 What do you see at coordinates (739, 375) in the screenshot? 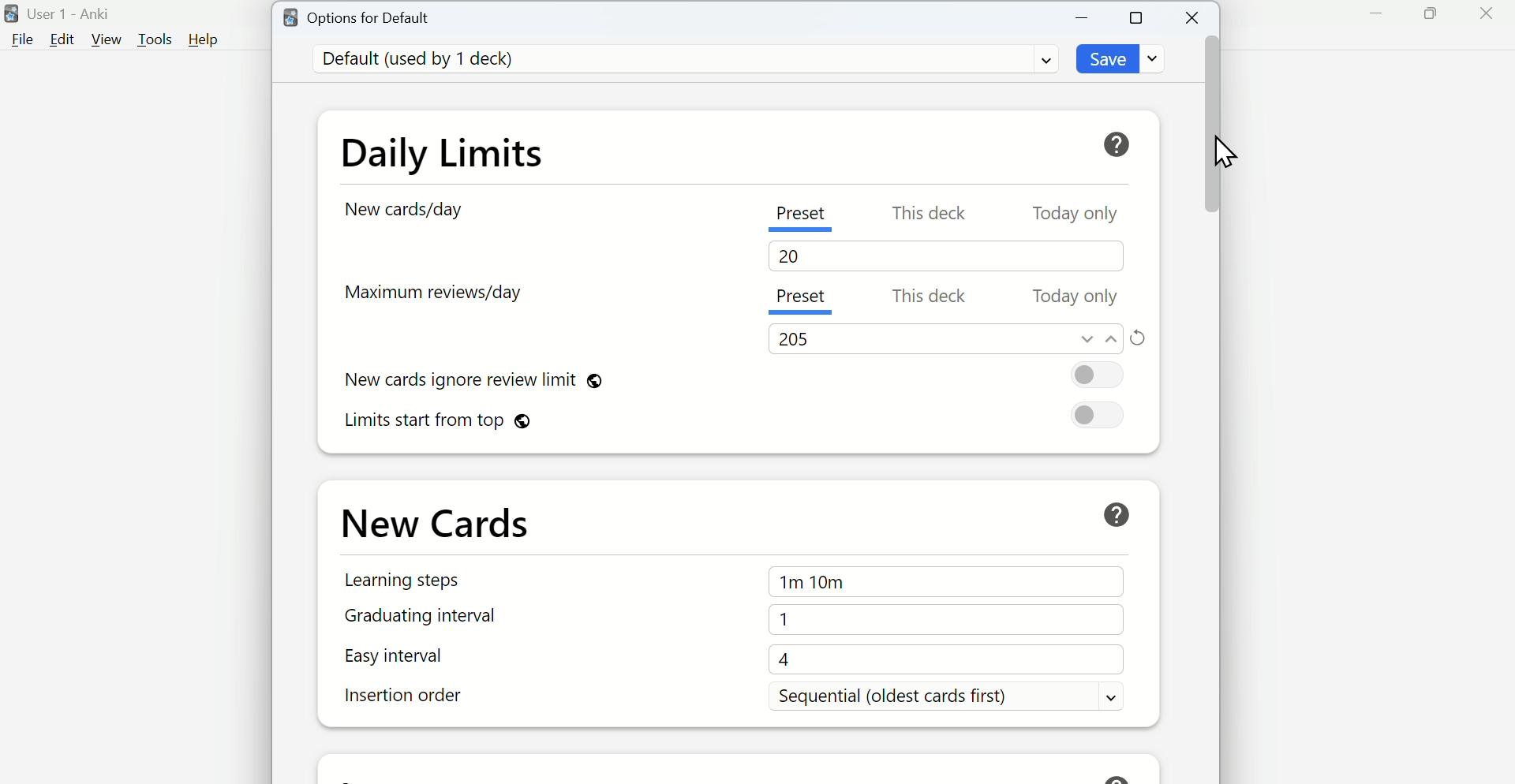
I see `New cards ignore review limit` at bounding box center [739, 375].